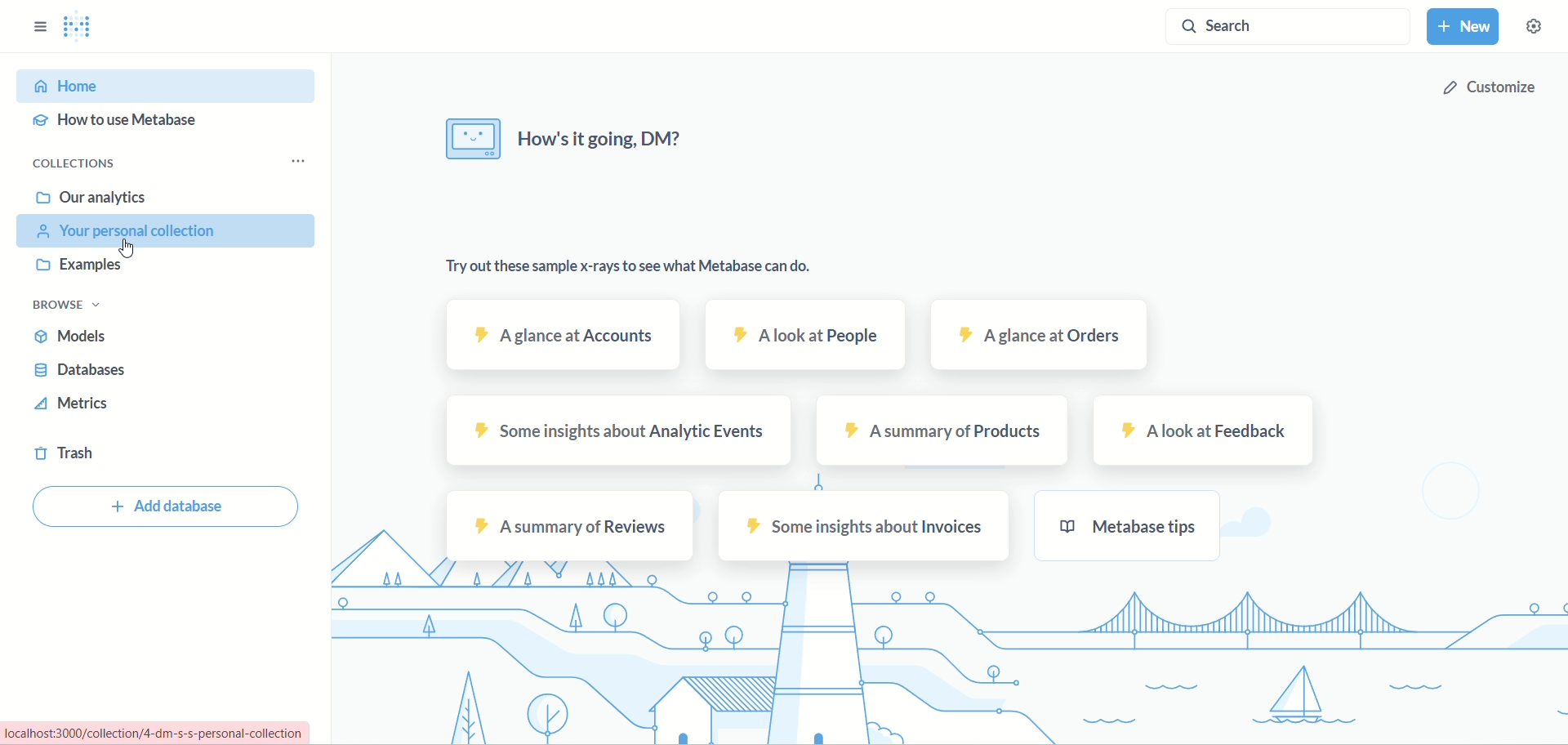 The image size is (1568, 745). What do you see at coordinates (1542, 32) in the screenshot?
I see `settings` at bounding box center [1542, 32].